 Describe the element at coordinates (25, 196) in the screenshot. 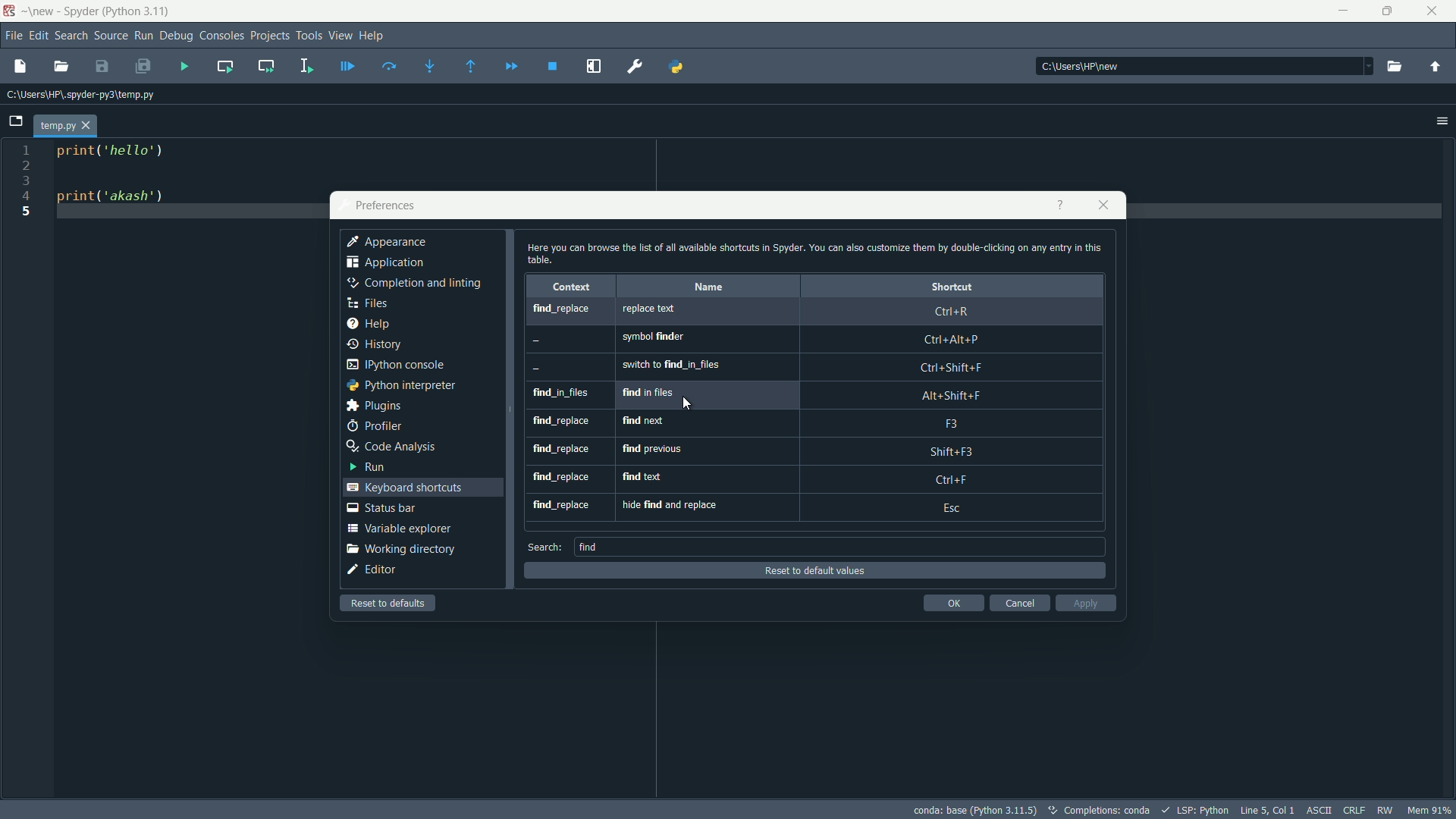

I see `4` at that location.